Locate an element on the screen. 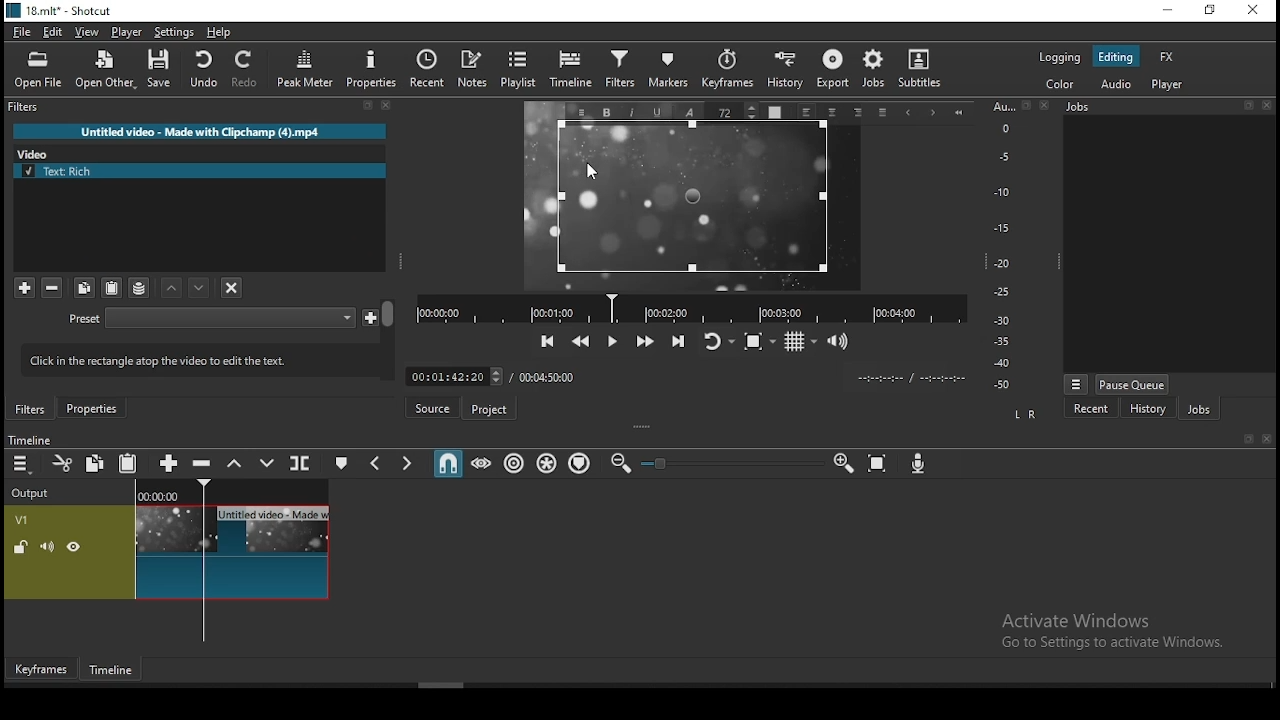 This screenshot has height=720, width=1280. Next is located at coordinates (933, 114).